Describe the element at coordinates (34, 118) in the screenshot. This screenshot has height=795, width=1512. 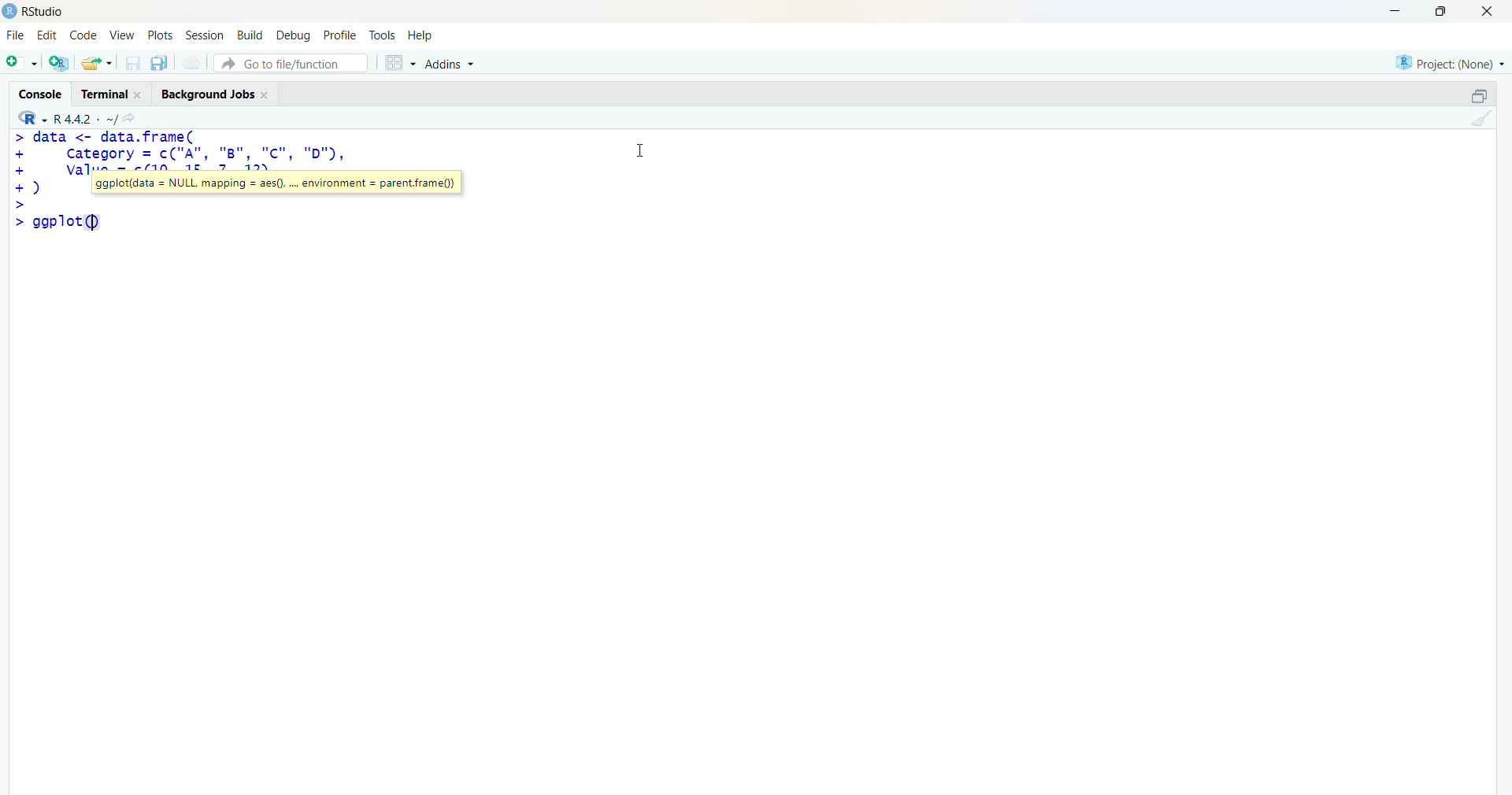
I see `R language` at that location.